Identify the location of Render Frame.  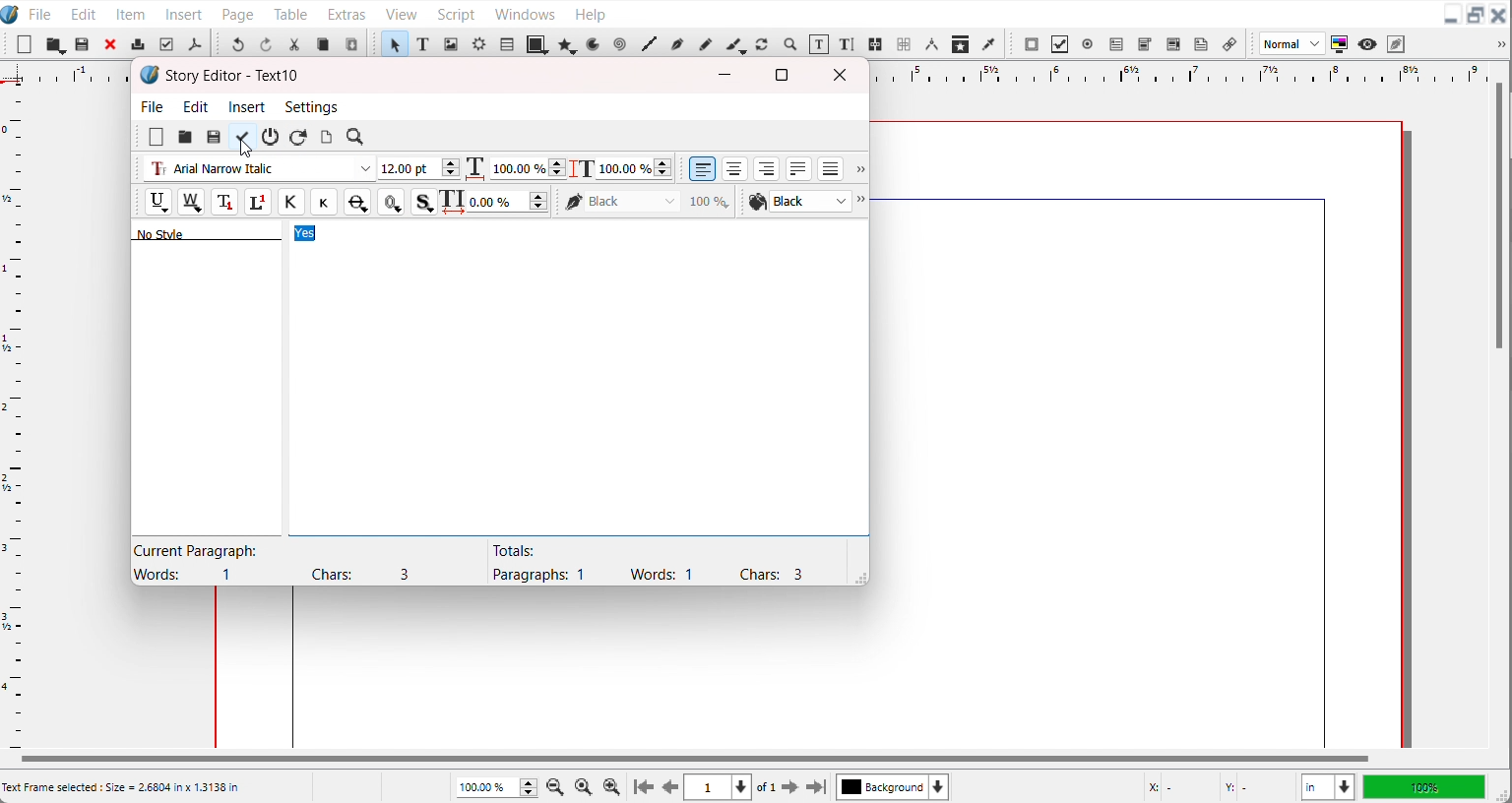
(478, 43).